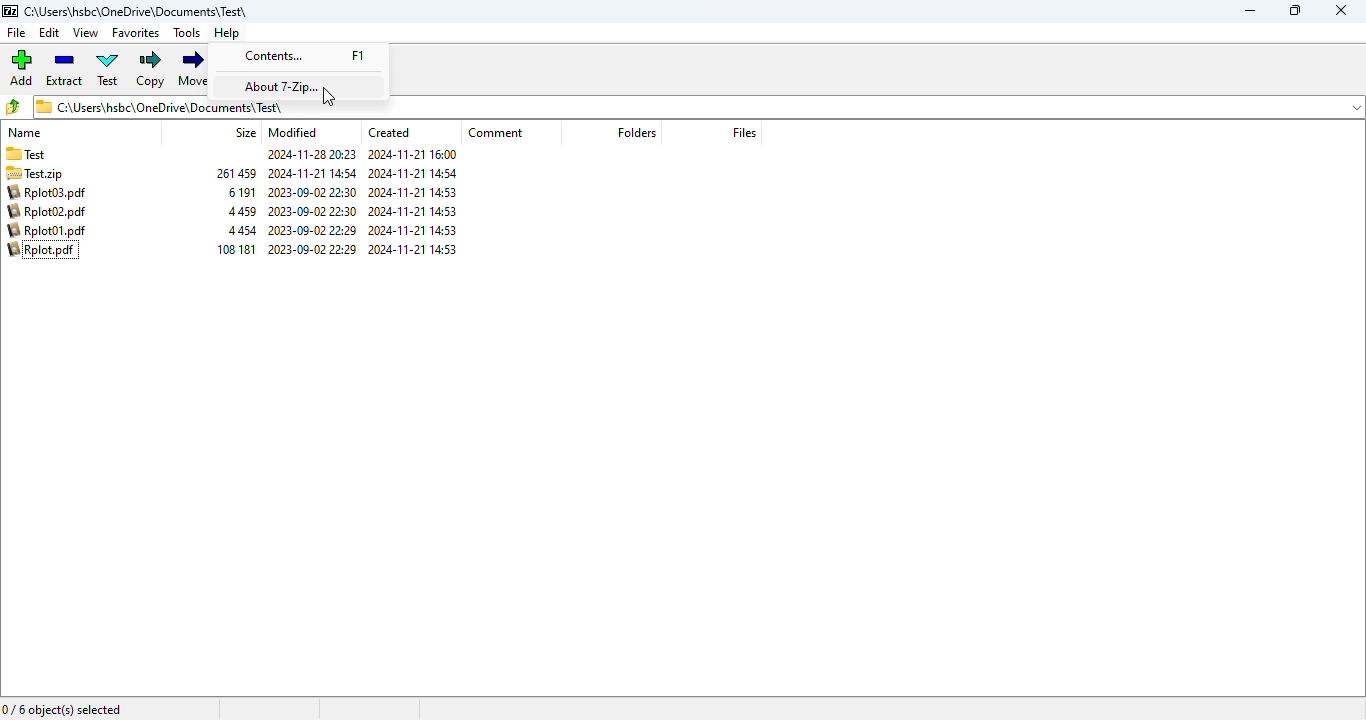  I want to click on 2024-11-21 14:53, so click(414, 231).